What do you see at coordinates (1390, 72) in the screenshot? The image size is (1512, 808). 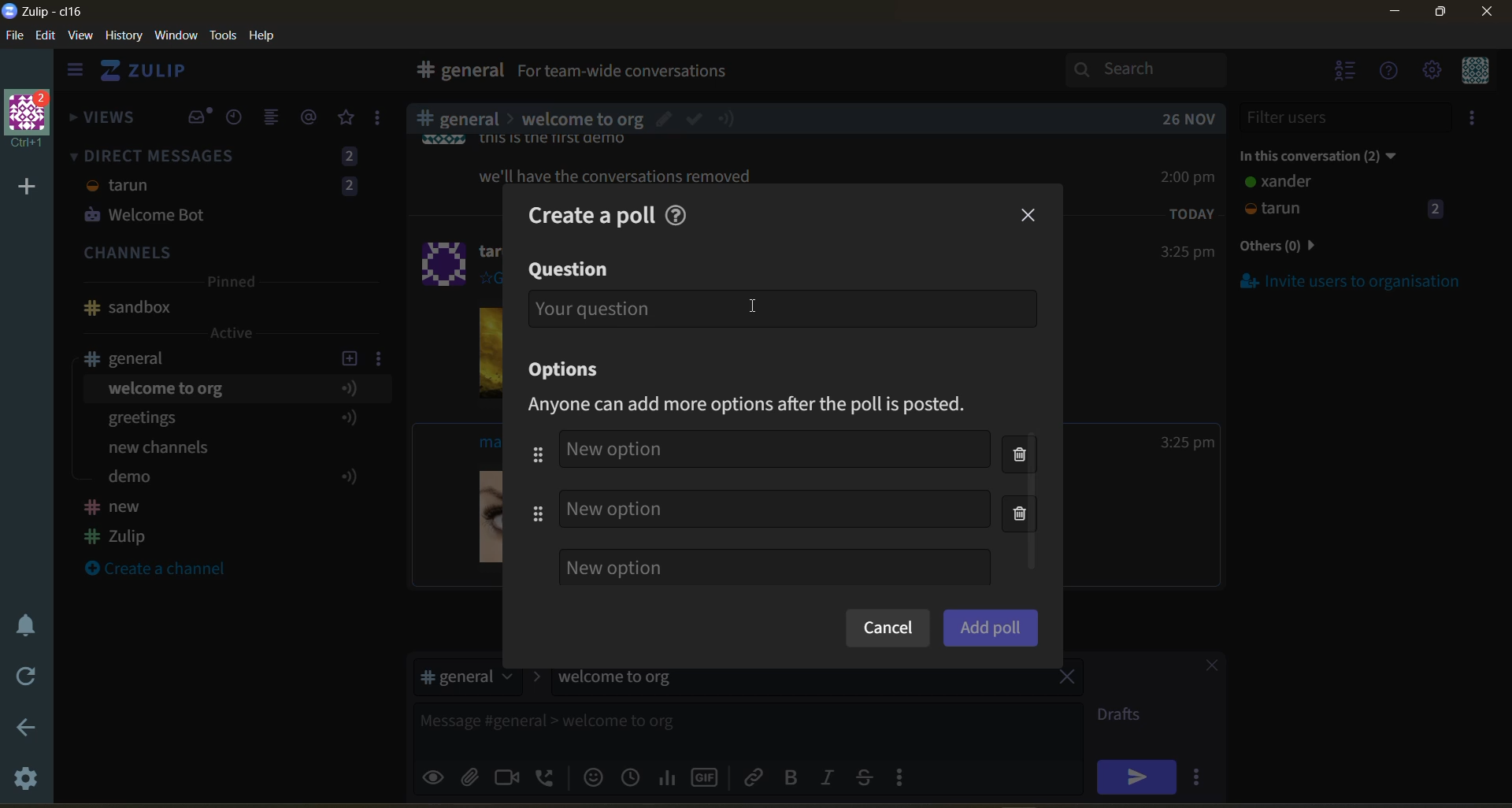 I see `help menu` at bounding box center [1390, 72].